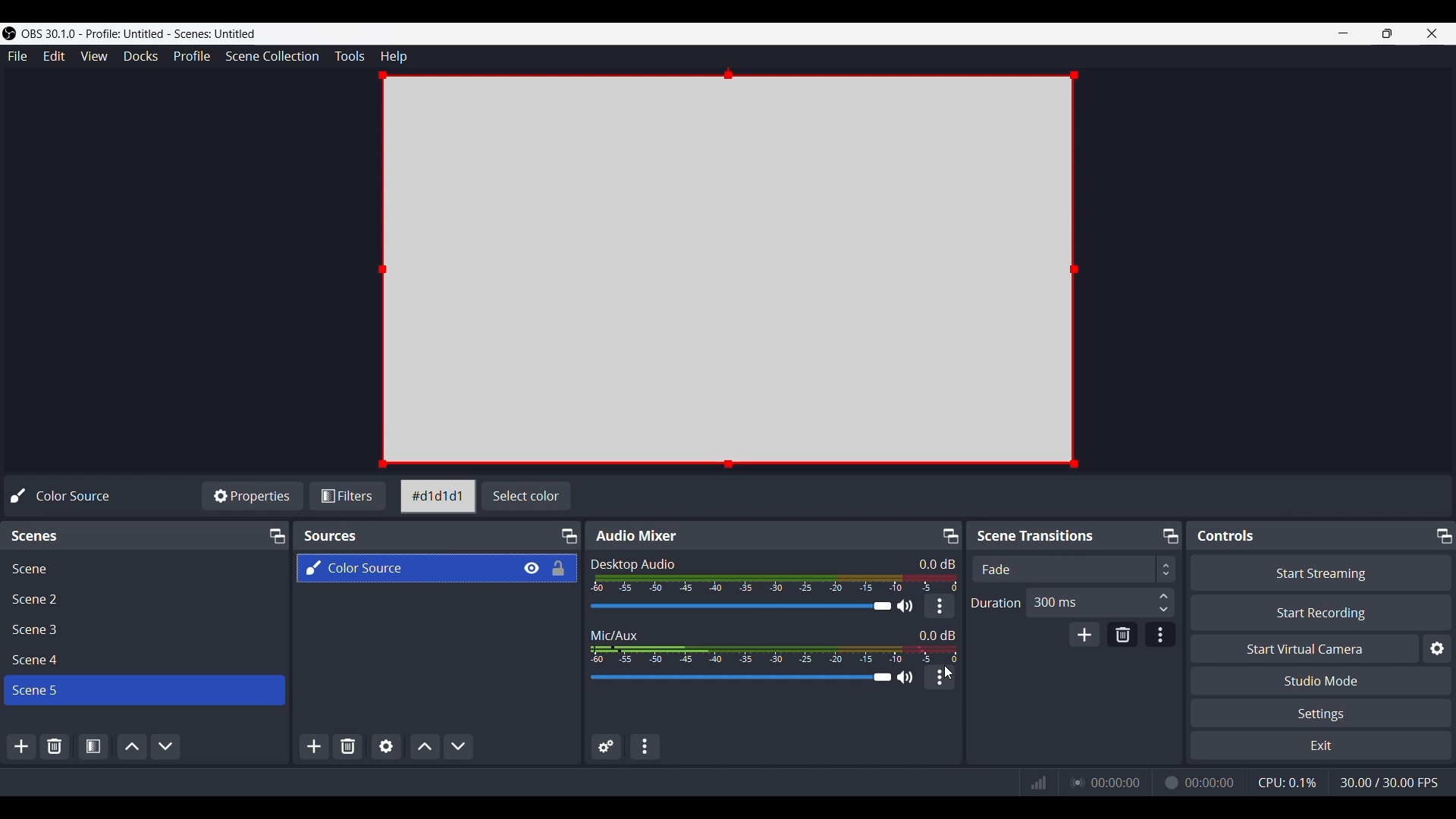 The image size is (1456, 819). What do you see at coordinates (1320, 746) in the screenshot?
I see `Exit` at bounding box center [1320, 746].